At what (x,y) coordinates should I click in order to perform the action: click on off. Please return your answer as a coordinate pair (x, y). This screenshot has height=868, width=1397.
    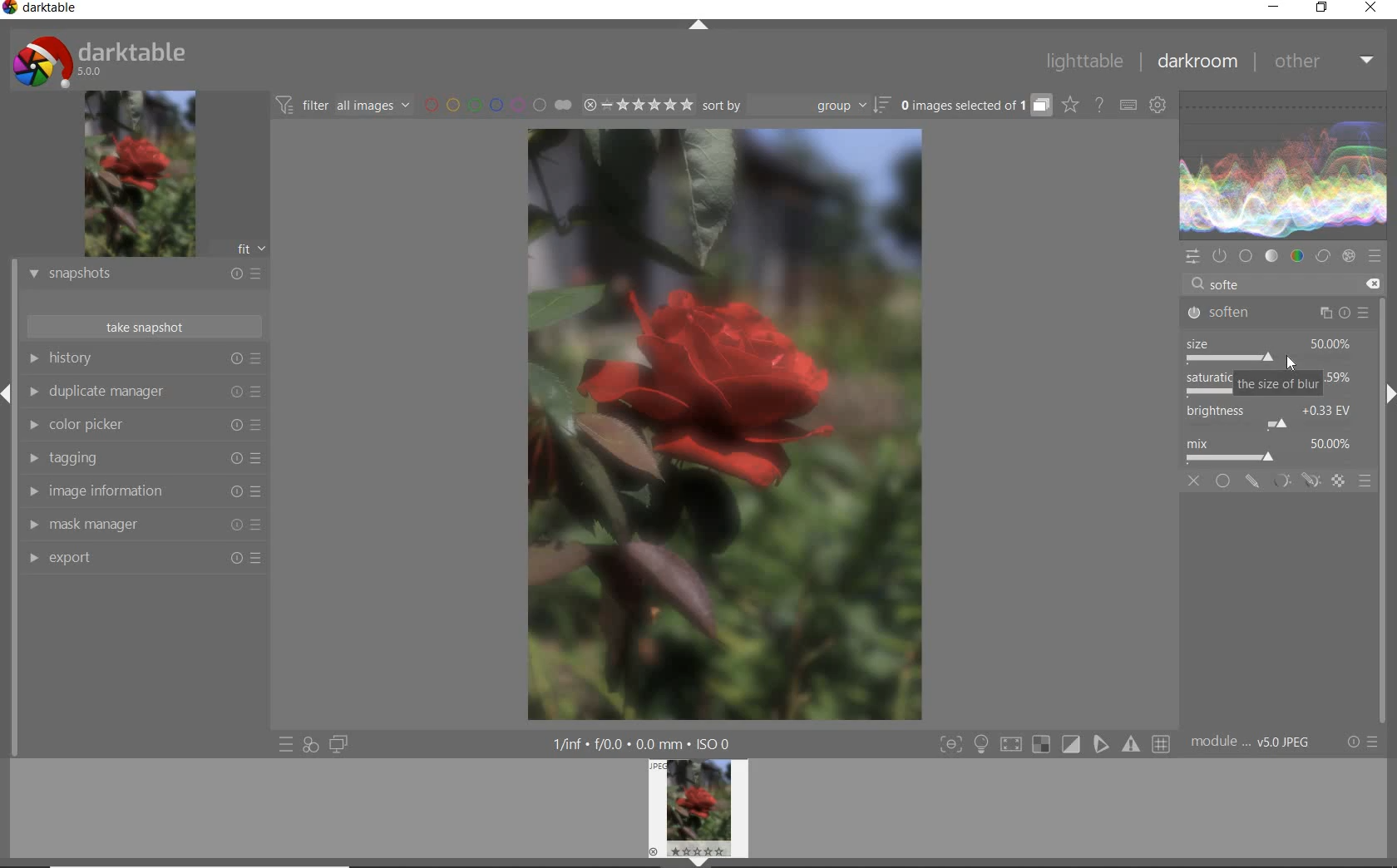
    Looking at the image, I should click on (1194, 481).